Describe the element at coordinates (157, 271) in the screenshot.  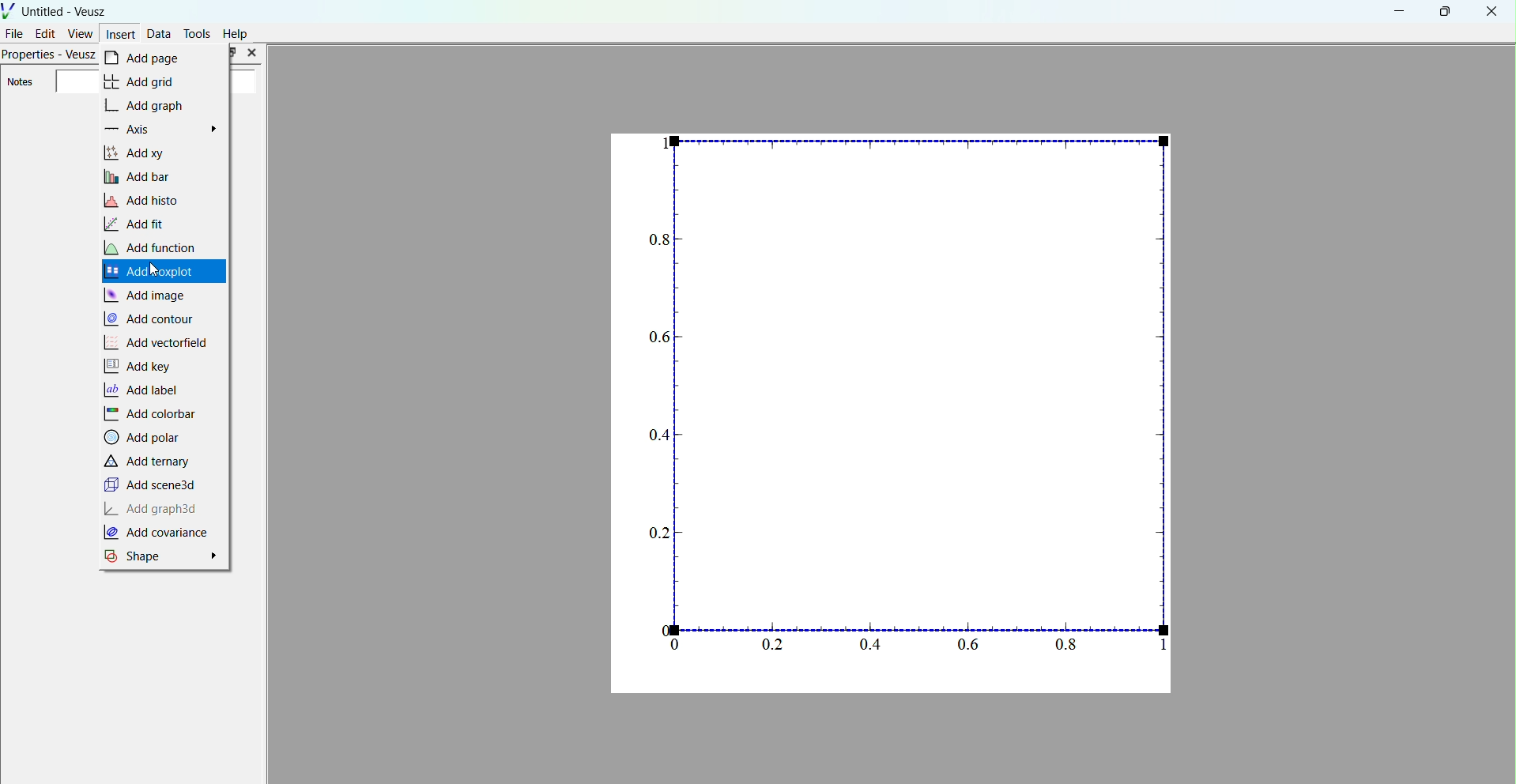
I see `cursor` at that location.